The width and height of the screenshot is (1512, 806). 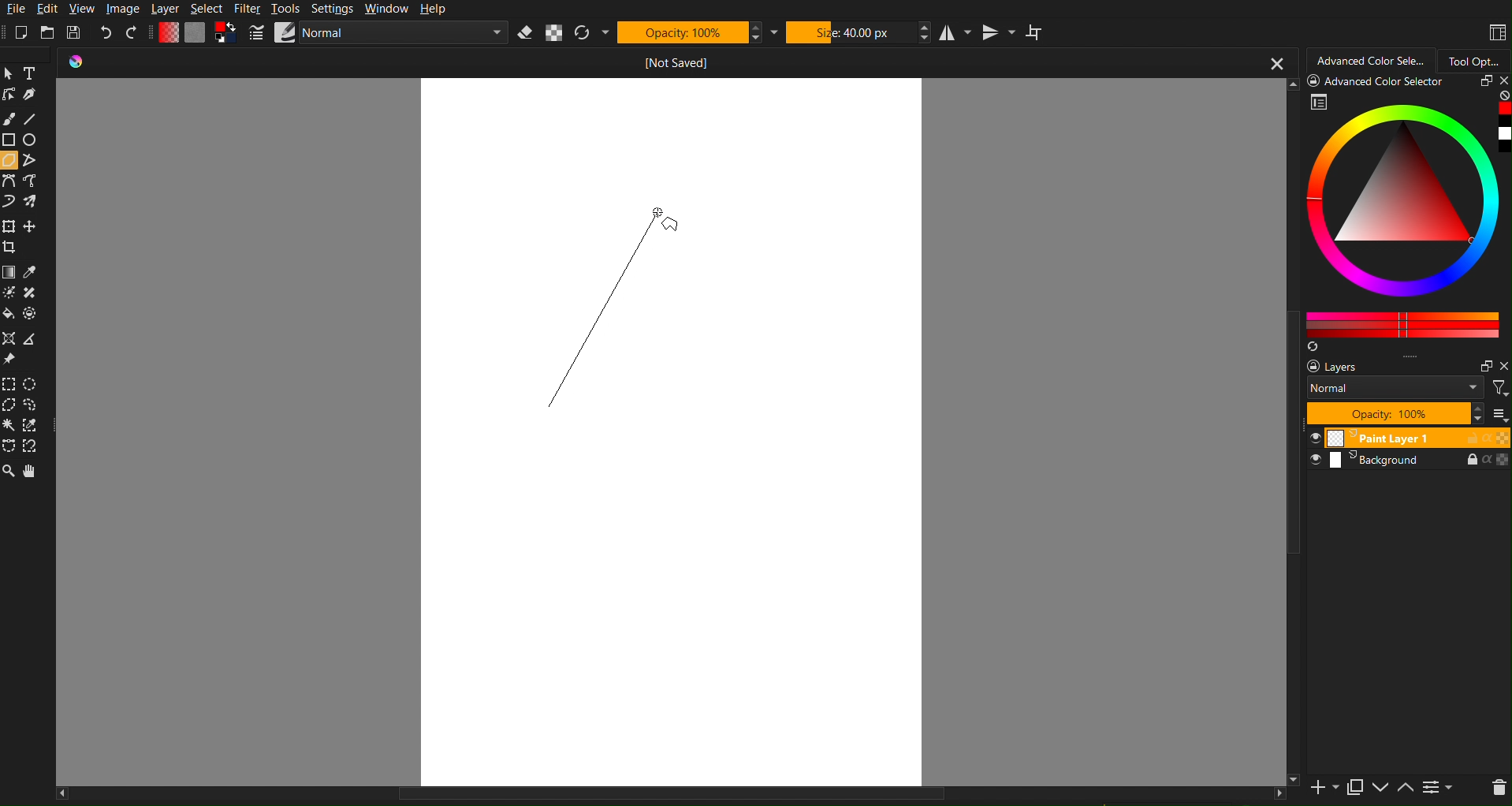 What do you see at coordinates (657, 213) in the screenshot?
I see `Cursor` at bounding box center [657, 213].